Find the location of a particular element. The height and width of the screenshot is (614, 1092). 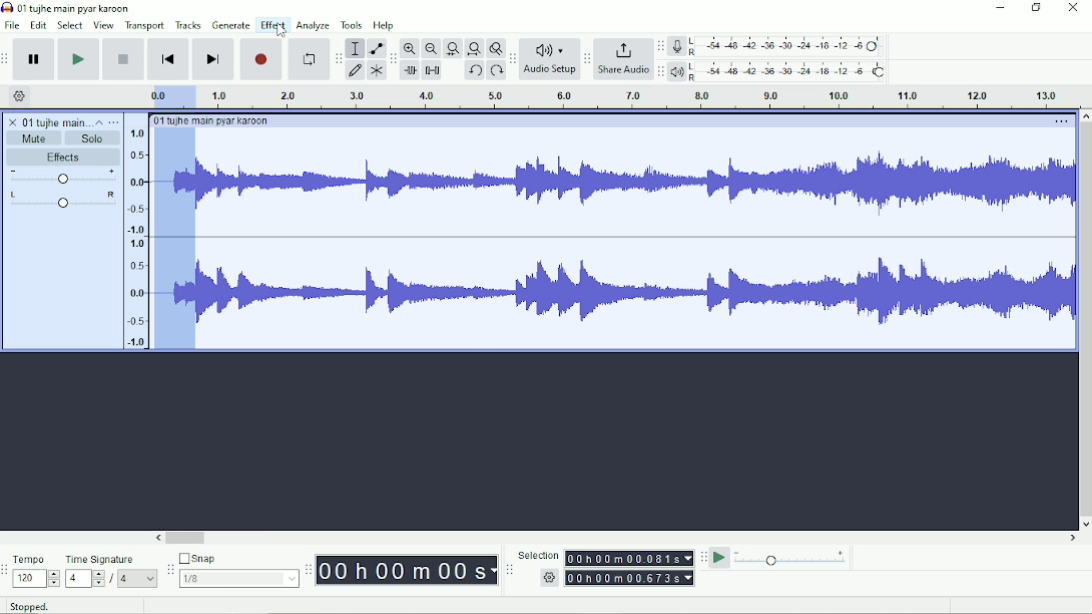

Generate is located at coordinates (231, 25).